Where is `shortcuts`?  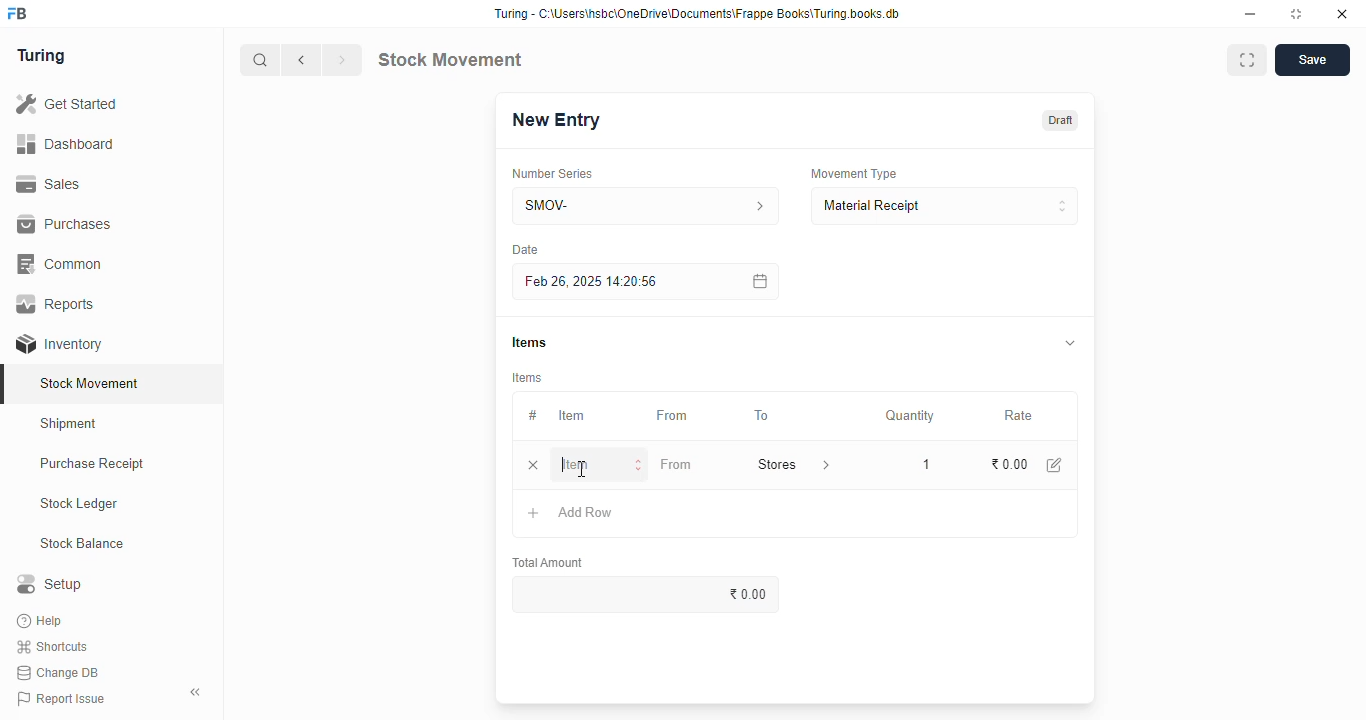
shortcuts is located at coordinates (52, 647).